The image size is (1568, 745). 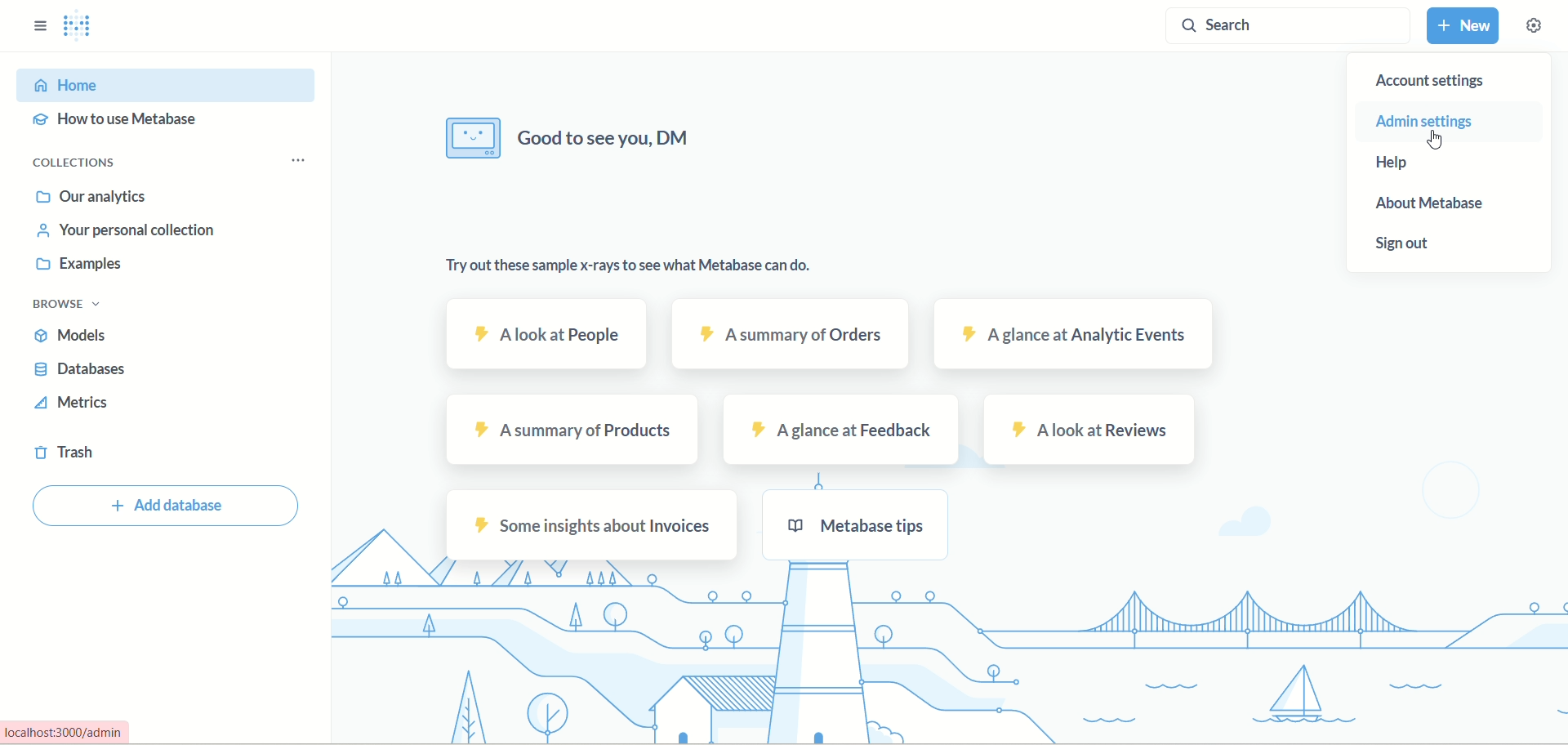 I want to click on reviews, so click(x=1086, y=430).